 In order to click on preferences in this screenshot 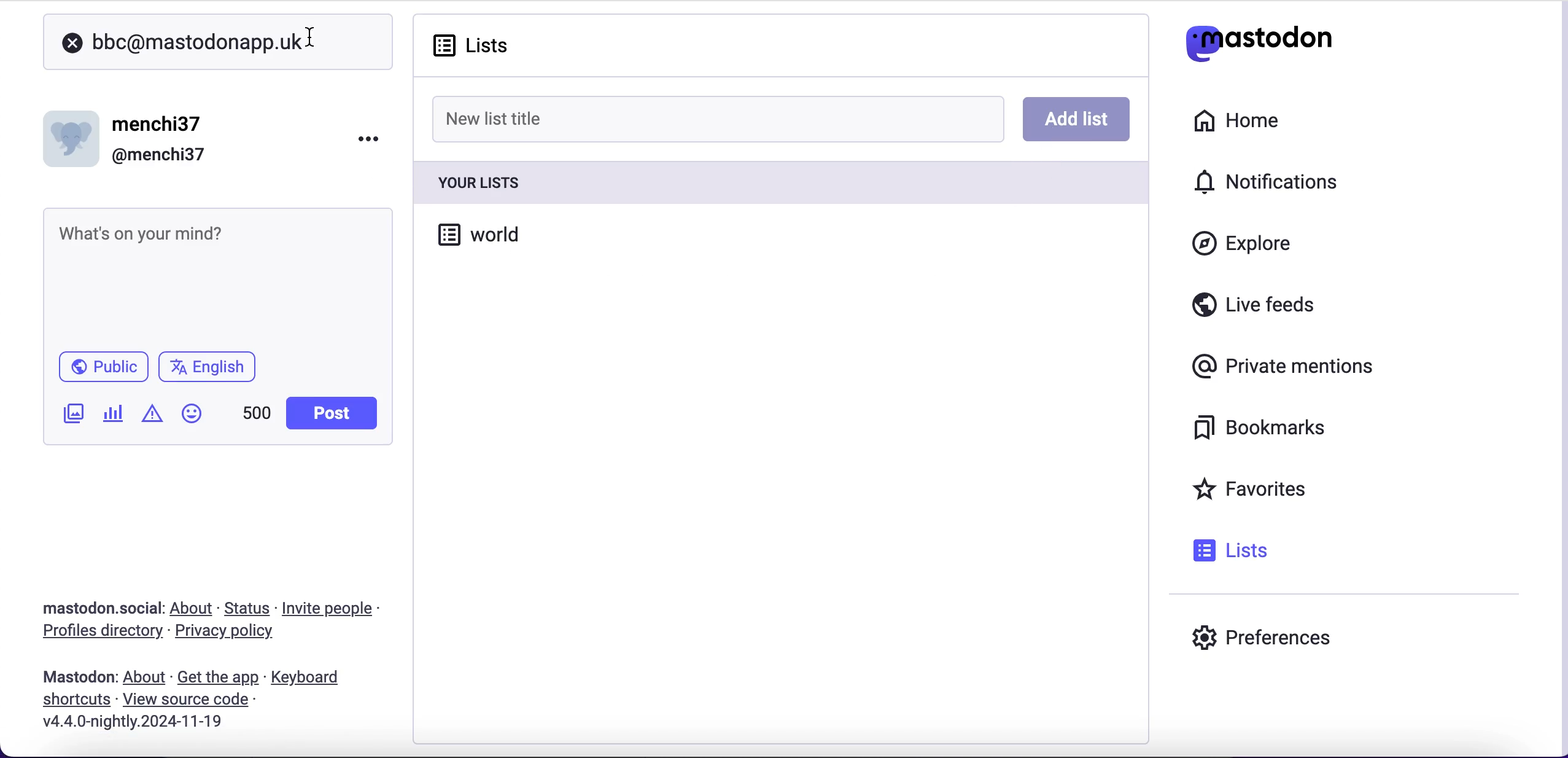, I will do `click(1262, 637)`.